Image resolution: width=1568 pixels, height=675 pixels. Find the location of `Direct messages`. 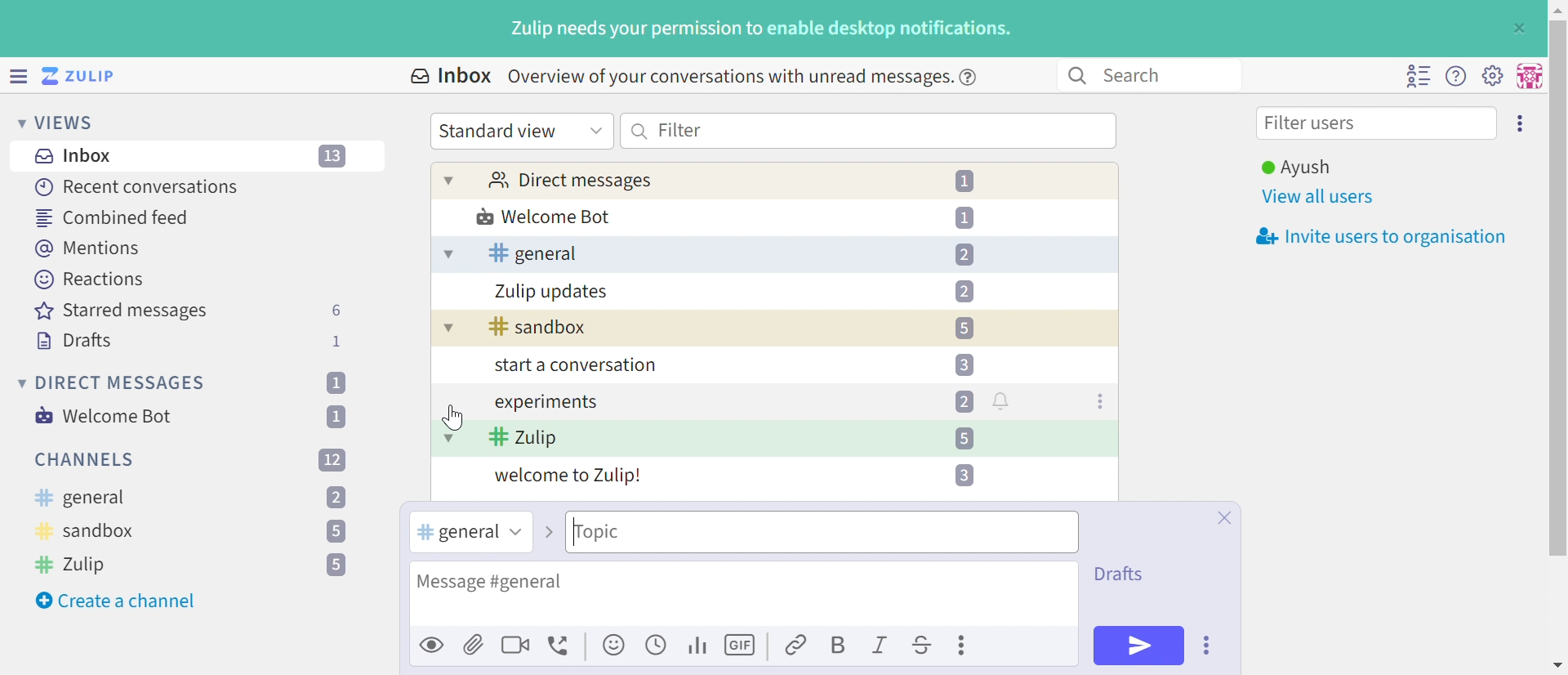

Direct messages is located at coordinates (569, 181).